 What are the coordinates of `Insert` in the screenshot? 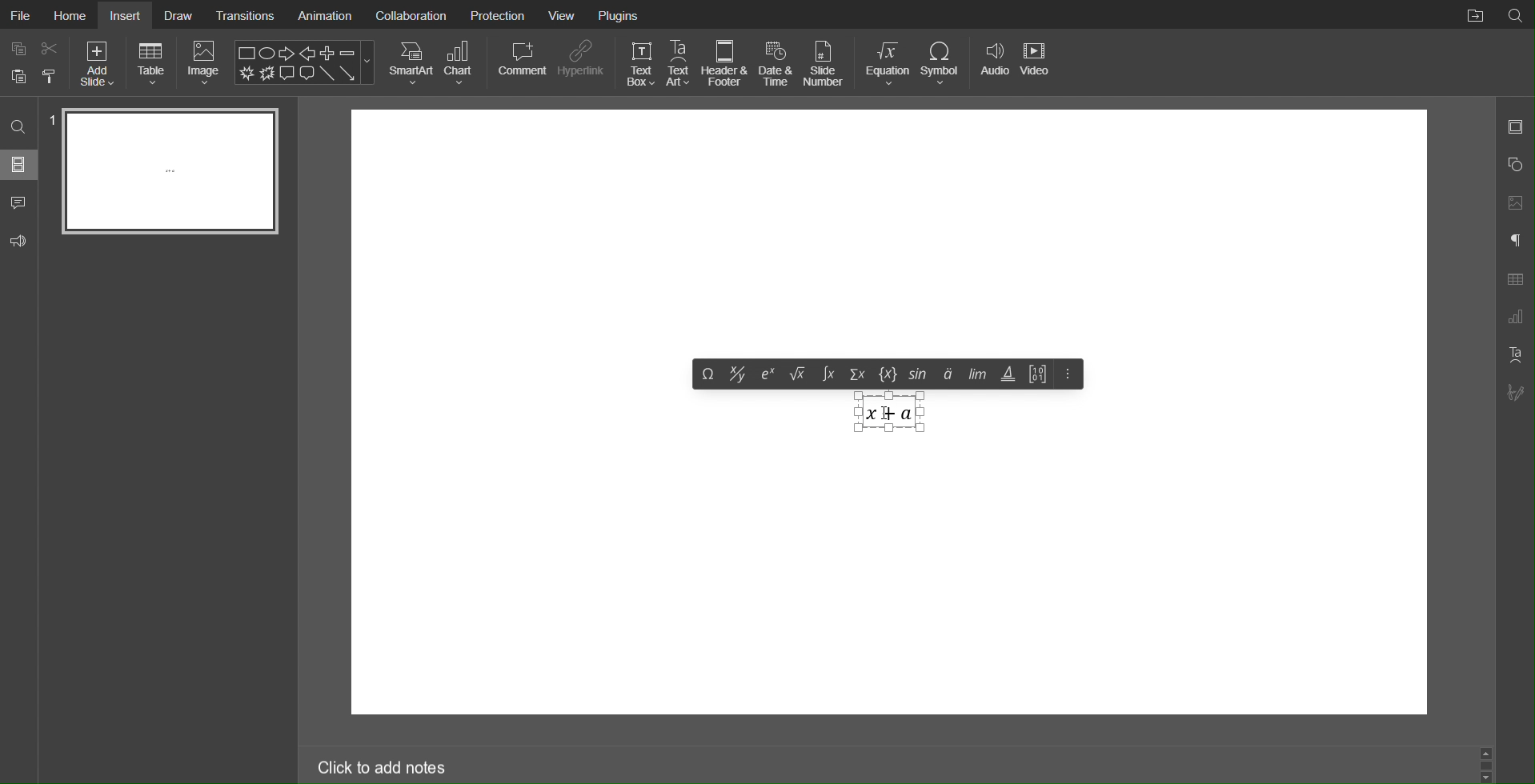 It's located at (127, 14).